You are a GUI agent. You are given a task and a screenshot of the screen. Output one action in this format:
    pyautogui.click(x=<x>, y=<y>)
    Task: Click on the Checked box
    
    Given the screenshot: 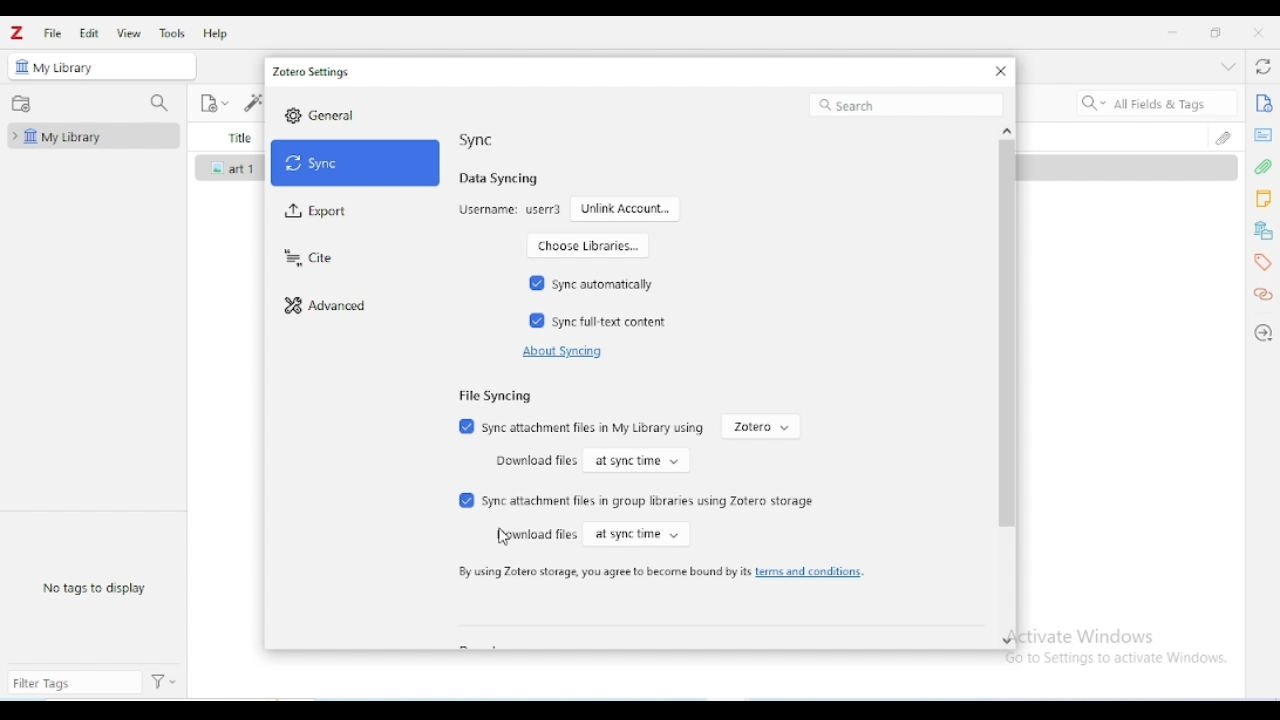 What is the action you would take?
    pyautogui.click(x=467, y=425)
    